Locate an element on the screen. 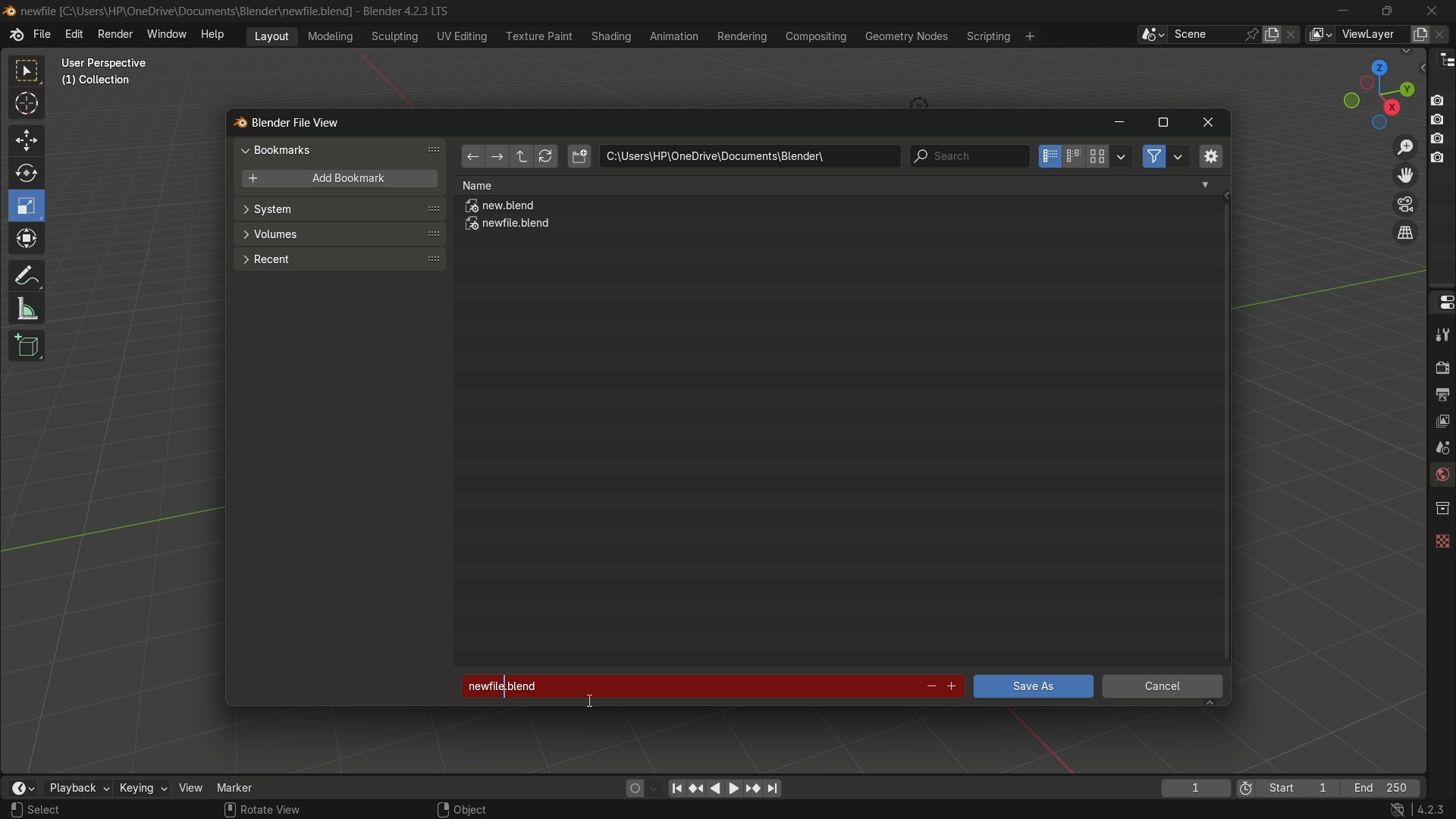 The height and width of the screenshot is (819, 1456). search bar is located at coordinates (968, 156).